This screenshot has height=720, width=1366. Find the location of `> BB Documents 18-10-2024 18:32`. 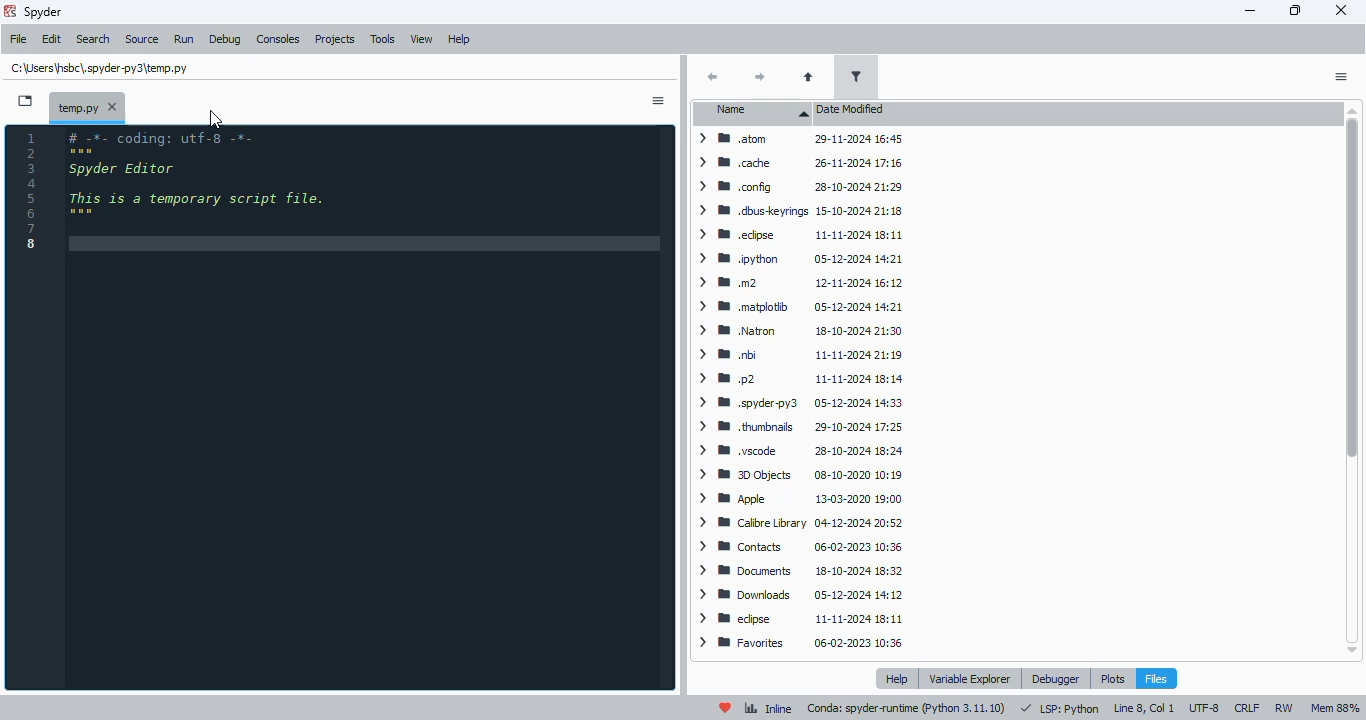

> BB Documents 18-10-2024 18:32 is located at coordinates (798, 570).